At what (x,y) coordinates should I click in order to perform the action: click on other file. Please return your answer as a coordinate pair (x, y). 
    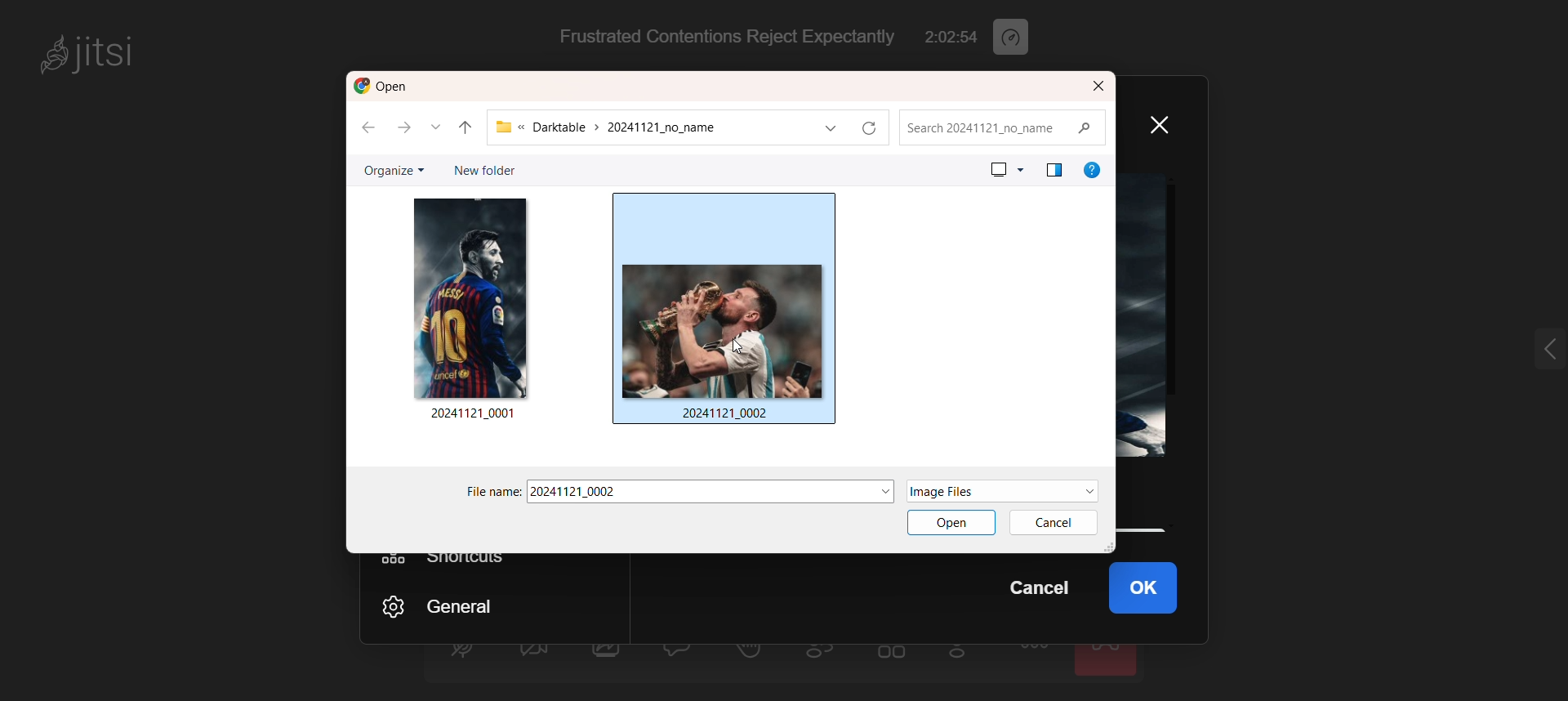
    Looking at the image, I should click on (470, 296).